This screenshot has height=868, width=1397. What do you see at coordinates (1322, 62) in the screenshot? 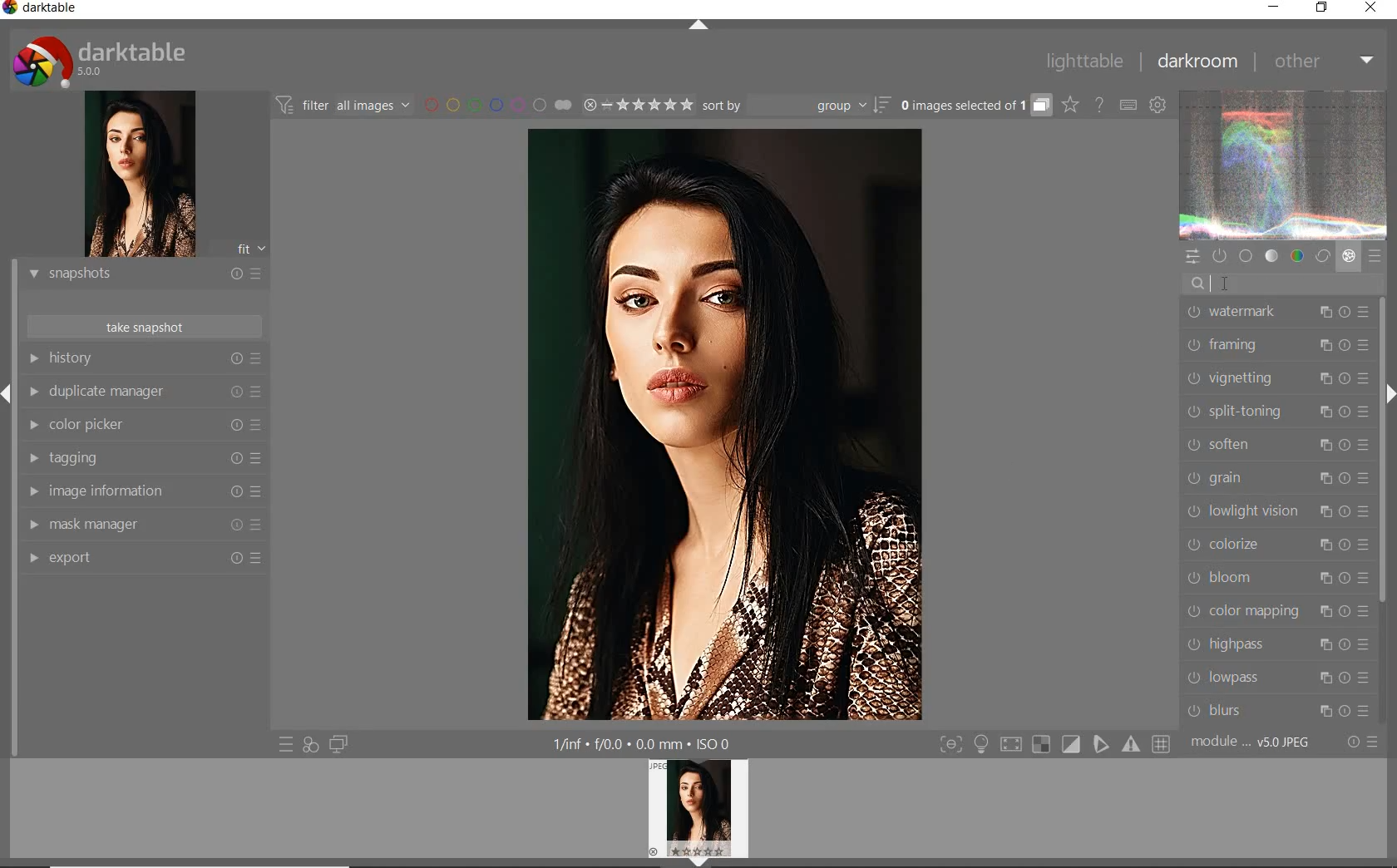
I see `OTHER` at bounding box center [1322, 62].